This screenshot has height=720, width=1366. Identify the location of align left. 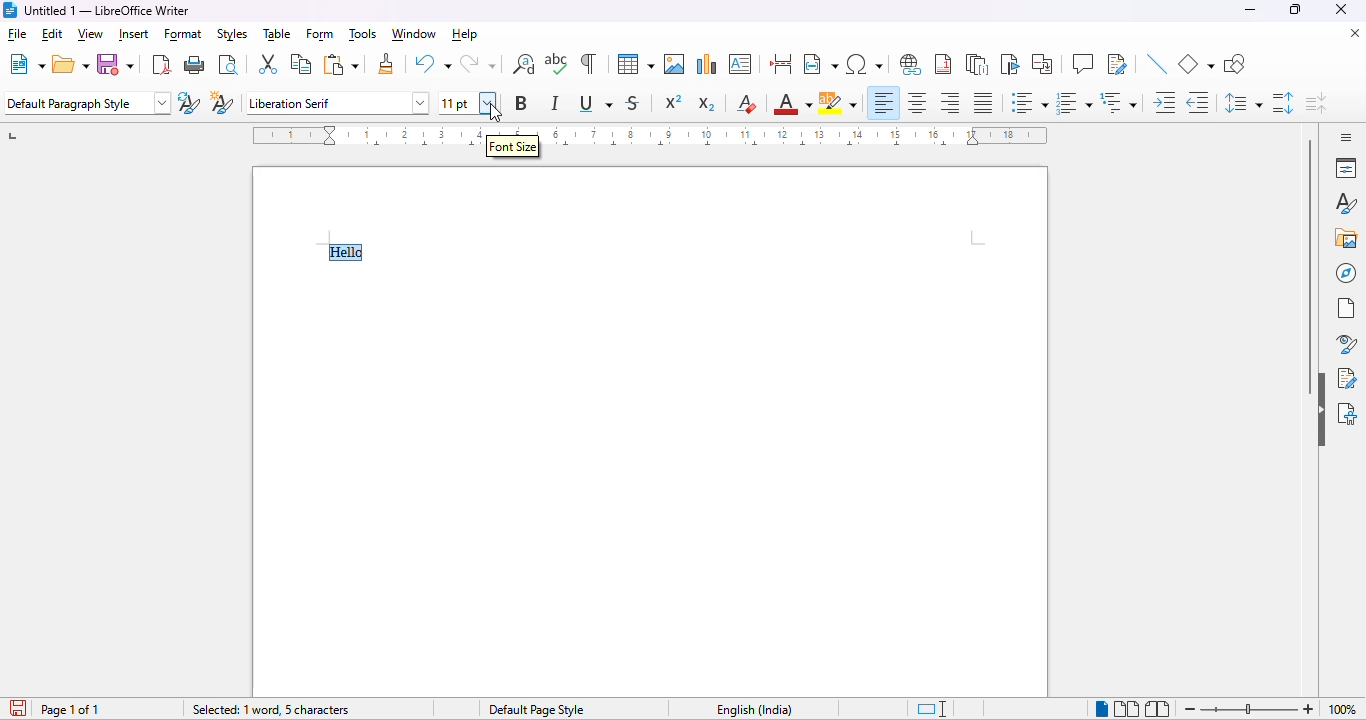
(884, 103).